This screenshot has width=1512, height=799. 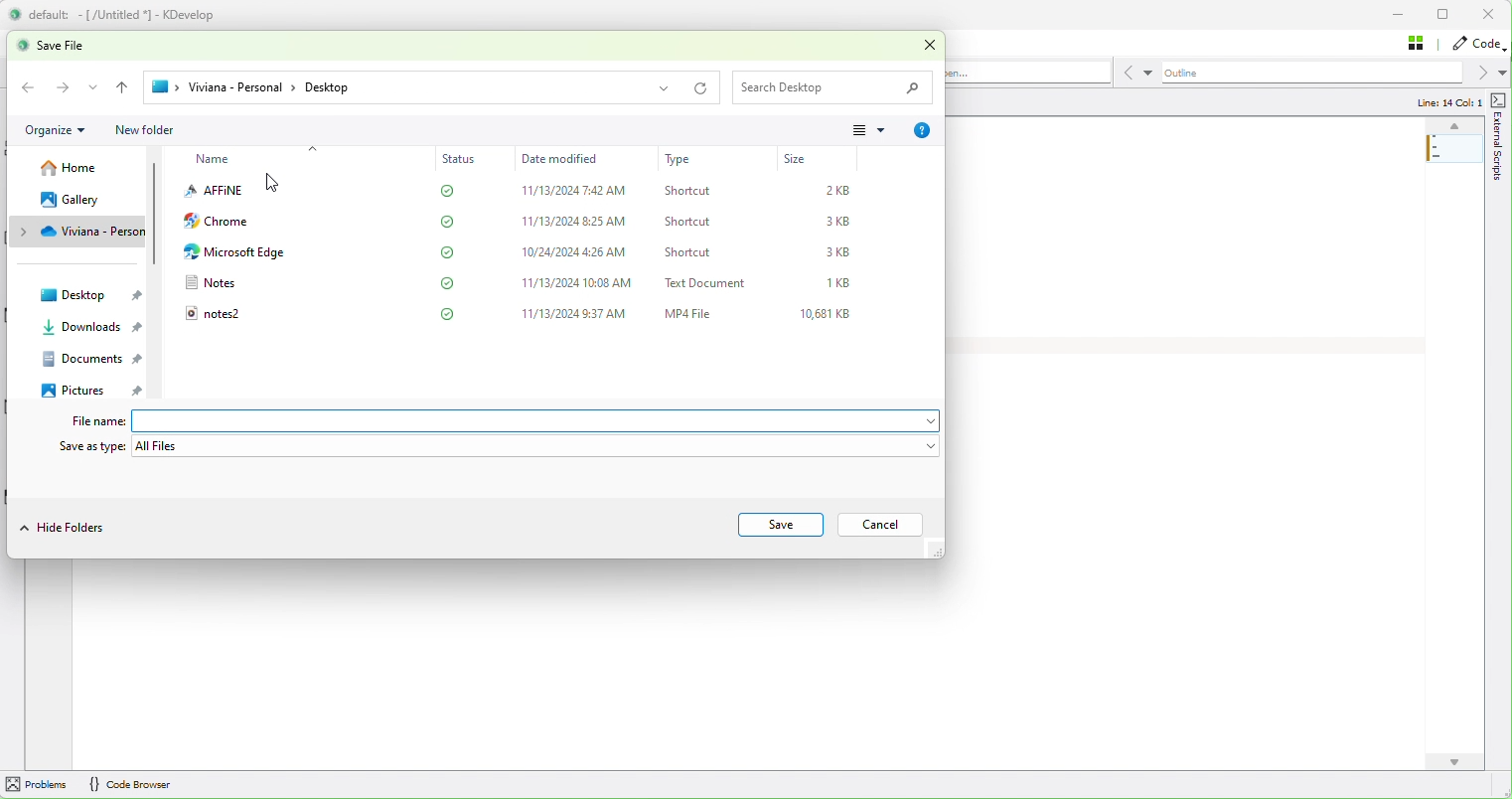 What do you see at coordinates (1445, 16) in the screenshot?
I see `Box` at bounding box center [1445, 16].